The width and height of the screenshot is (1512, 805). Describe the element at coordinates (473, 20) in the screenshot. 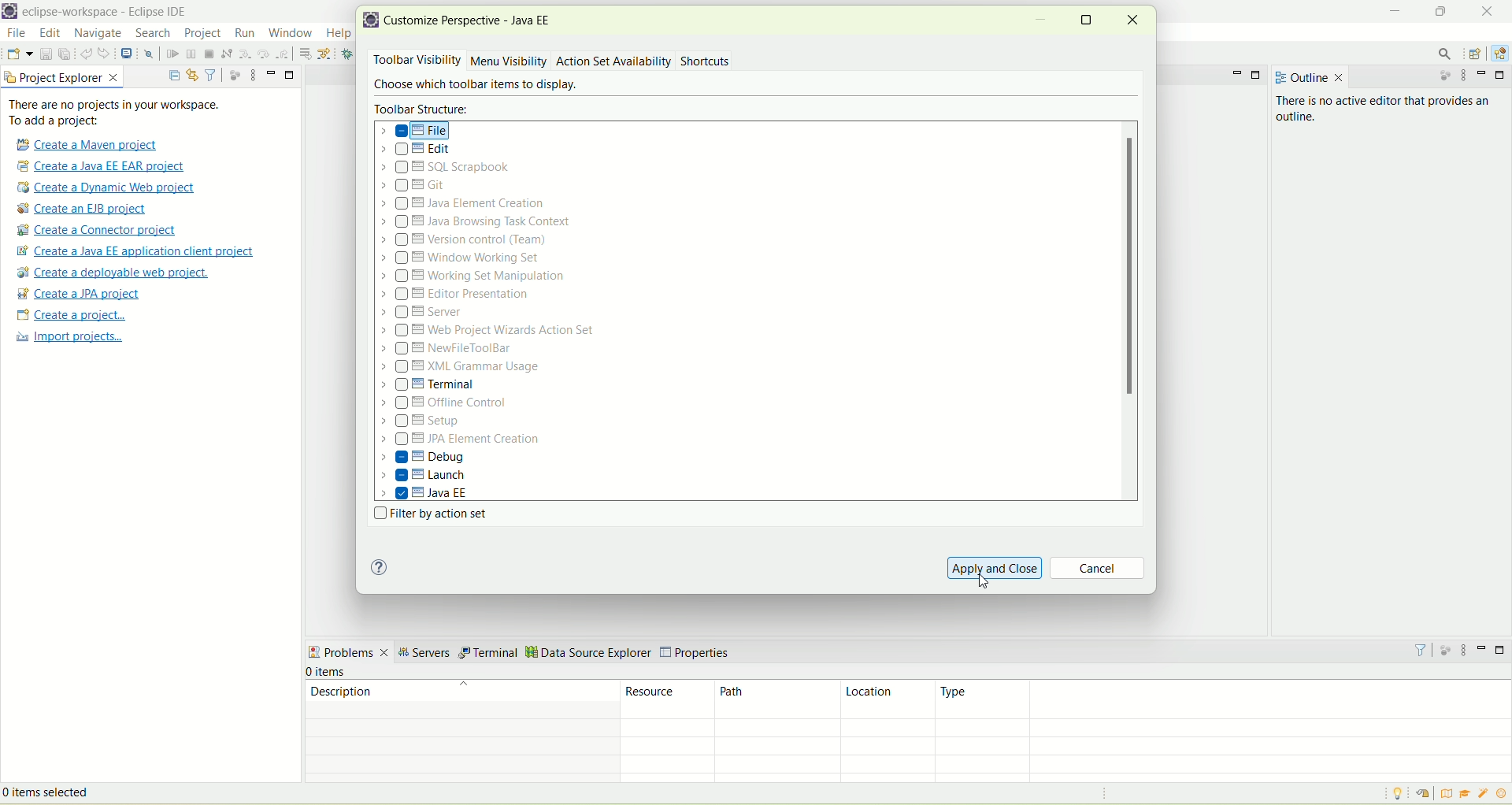

I see `customize perspective-Java EE` at that location.